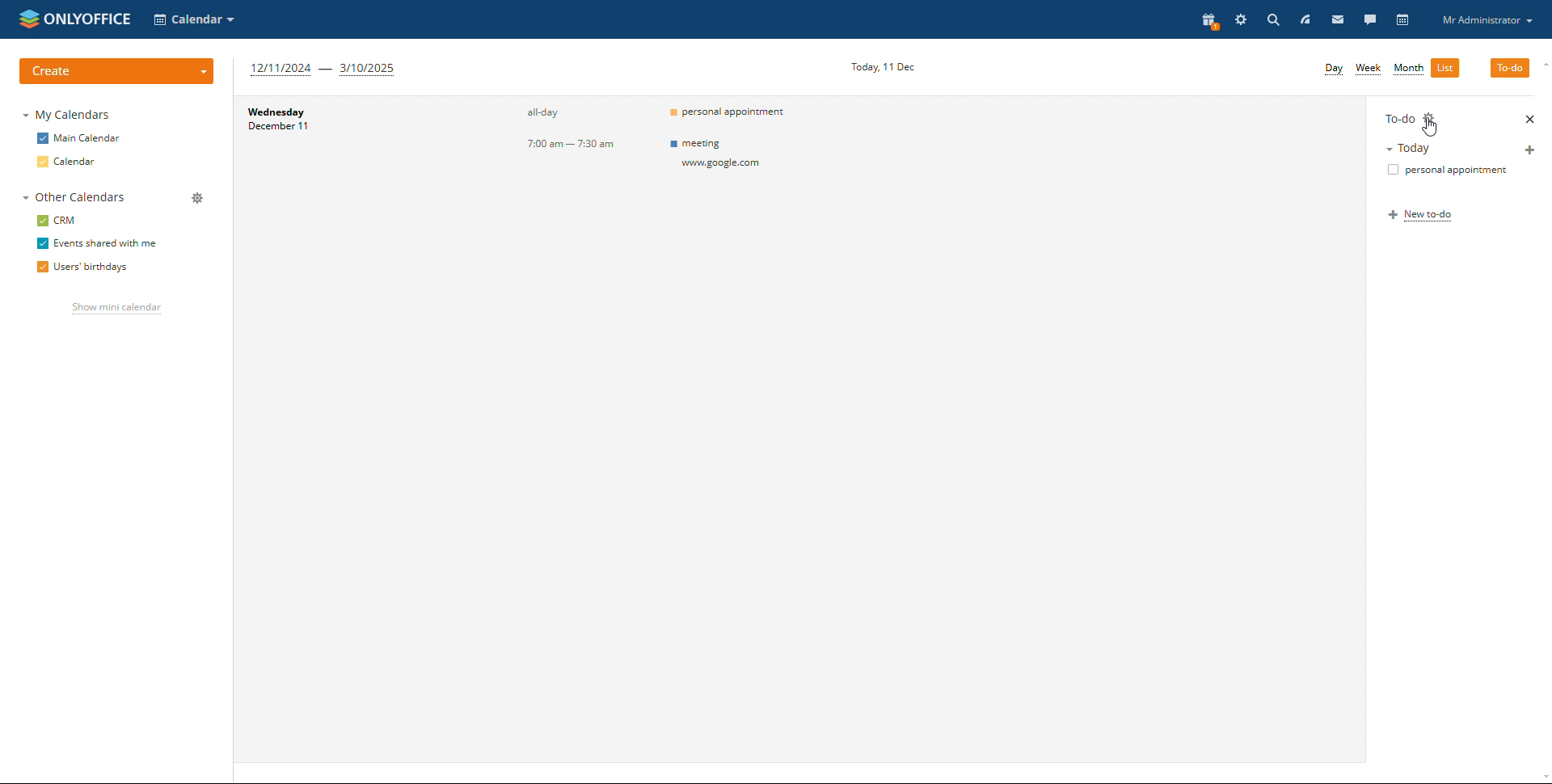 The width and height of the screenshot is (1552, 784). Describe the element at coordinates (1436, 148) in the screenshot. I see `today` at that location.